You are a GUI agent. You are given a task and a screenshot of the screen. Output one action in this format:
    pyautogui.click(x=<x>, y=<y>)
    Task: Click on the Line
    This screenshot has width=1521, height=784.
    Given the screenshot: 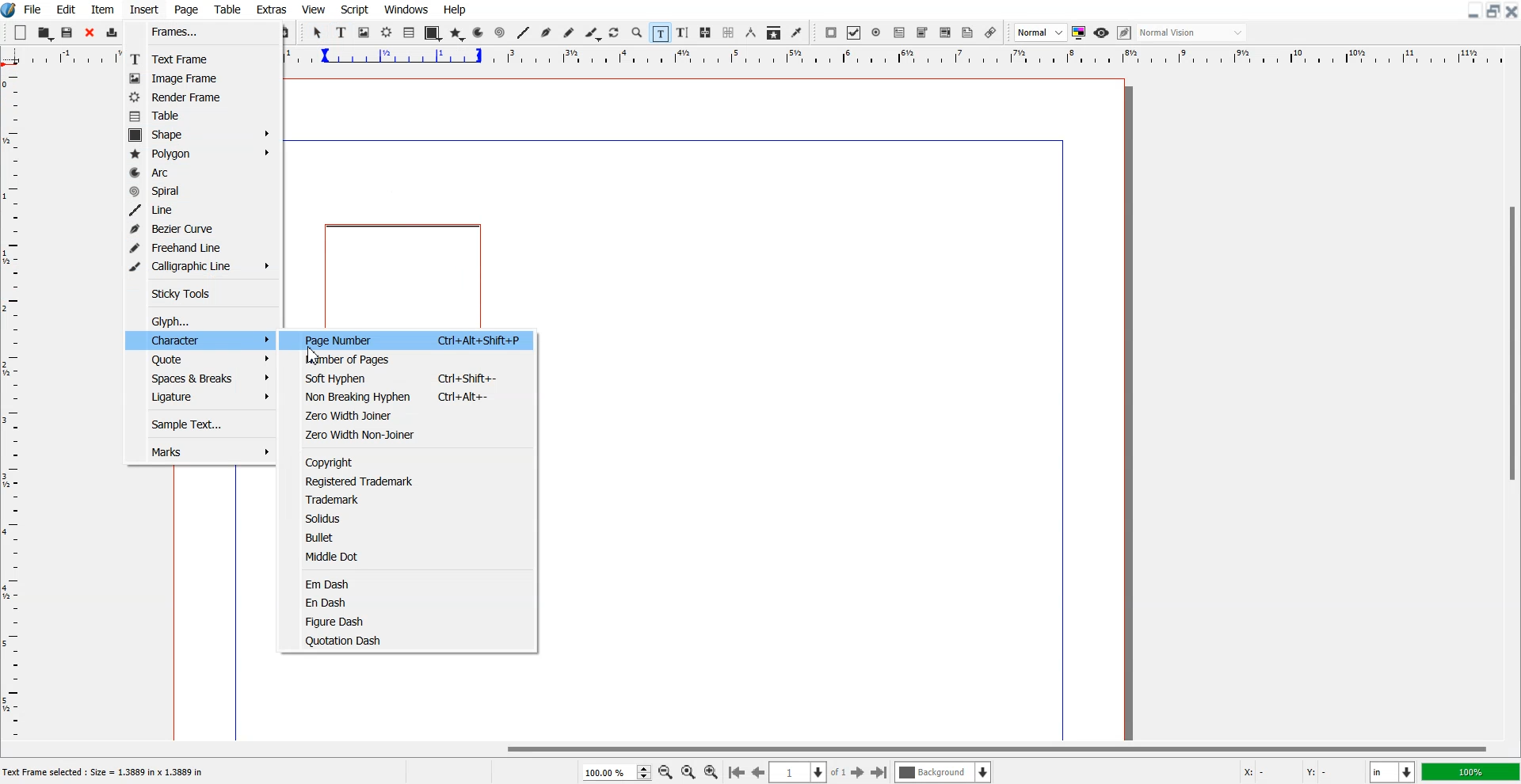 What is the action you would take?
    pyautogui.click(x=201, y=209)
    